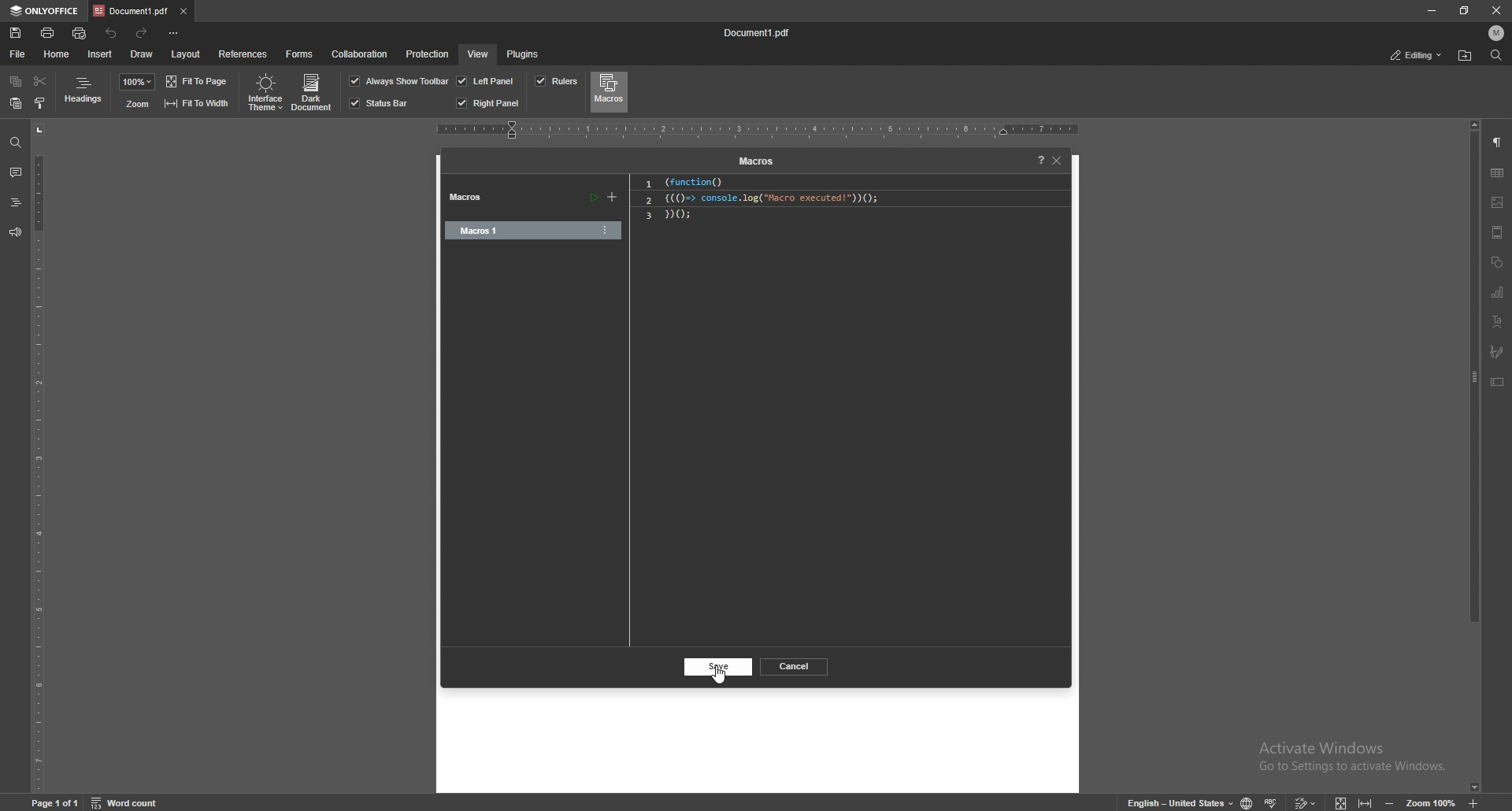  I want to click on macros, so click(472, 198).